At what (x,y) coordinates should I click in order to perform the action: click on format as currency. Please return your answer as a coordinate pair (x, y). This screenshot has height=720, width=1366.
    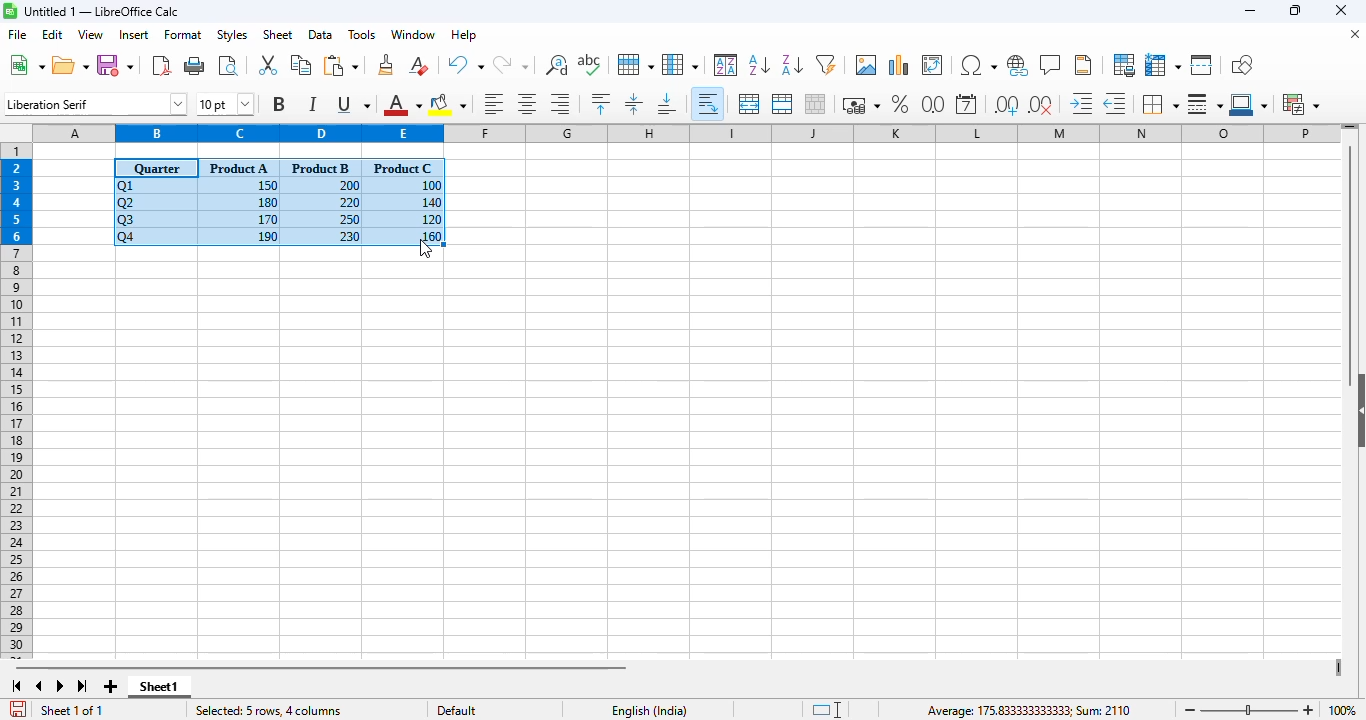
    Looking at the image, I should click on (860, 105).